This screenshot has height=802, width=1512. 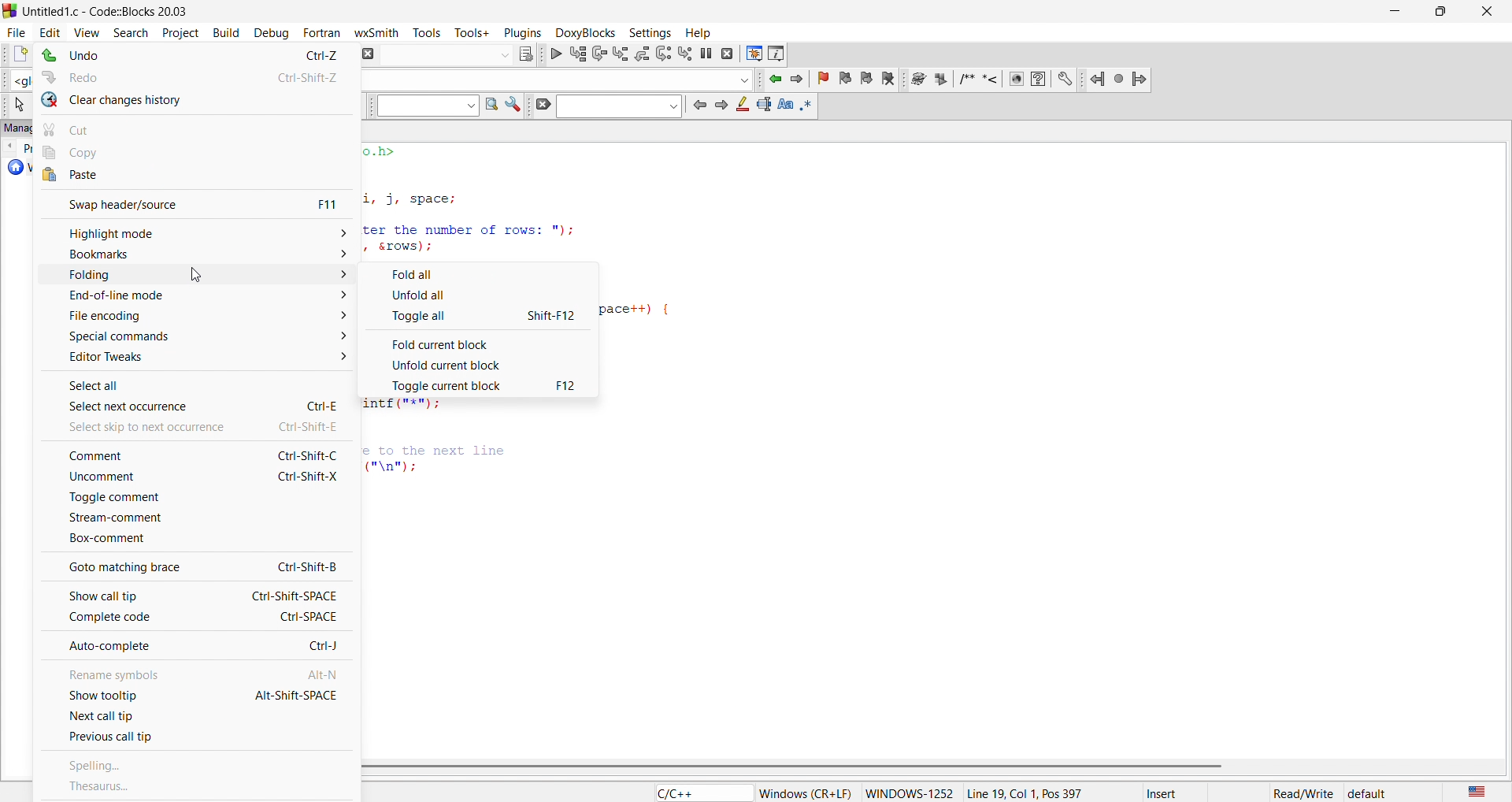 I want to click on jump back, so click(x=1099, y=79).